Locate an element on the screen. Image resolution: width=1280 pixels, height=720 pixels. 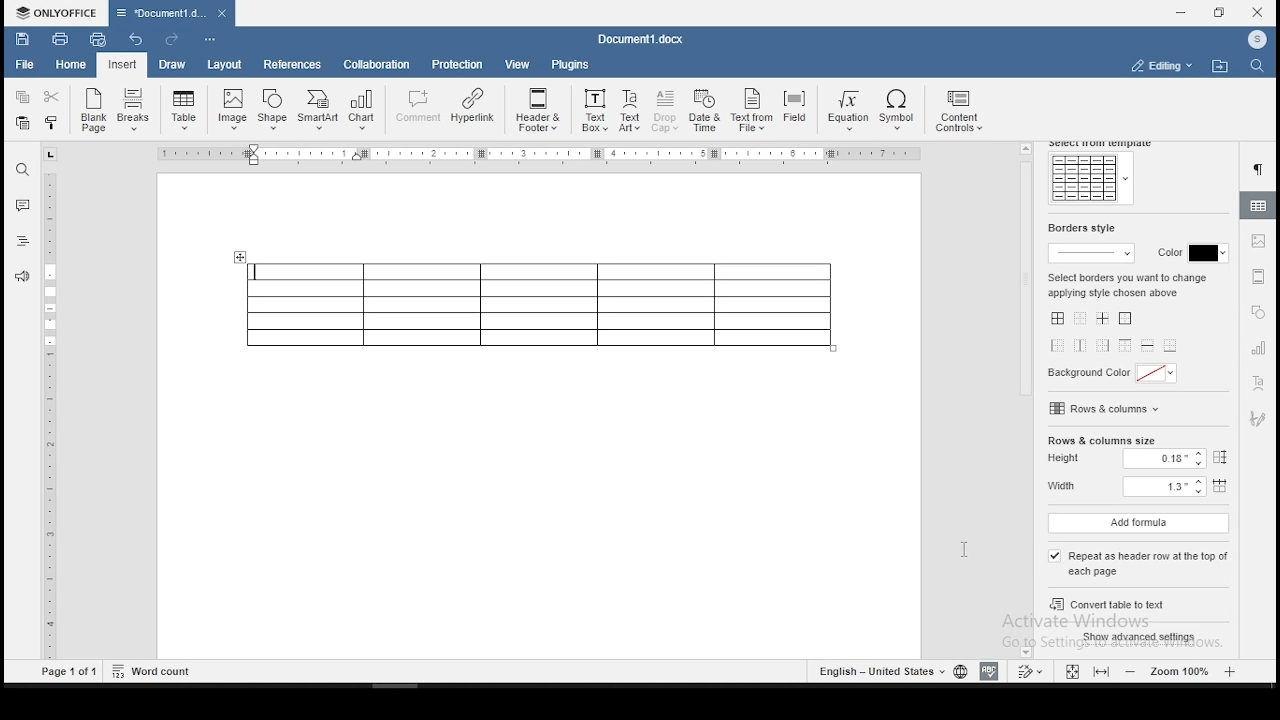
copy formatting is located at coordinates (54, 122).